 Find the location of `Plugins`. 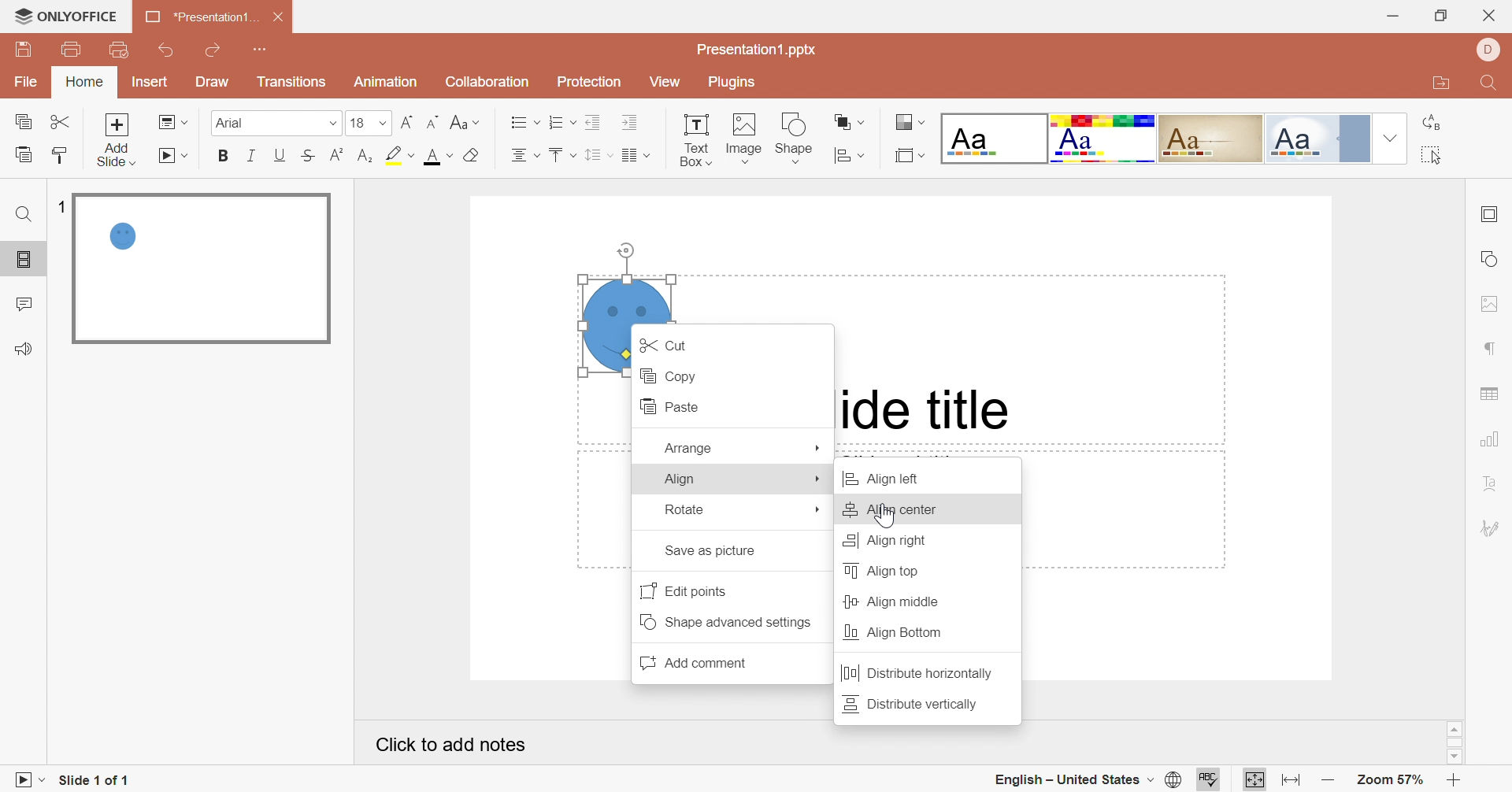

Plugins is located at coordinates (728, 84).